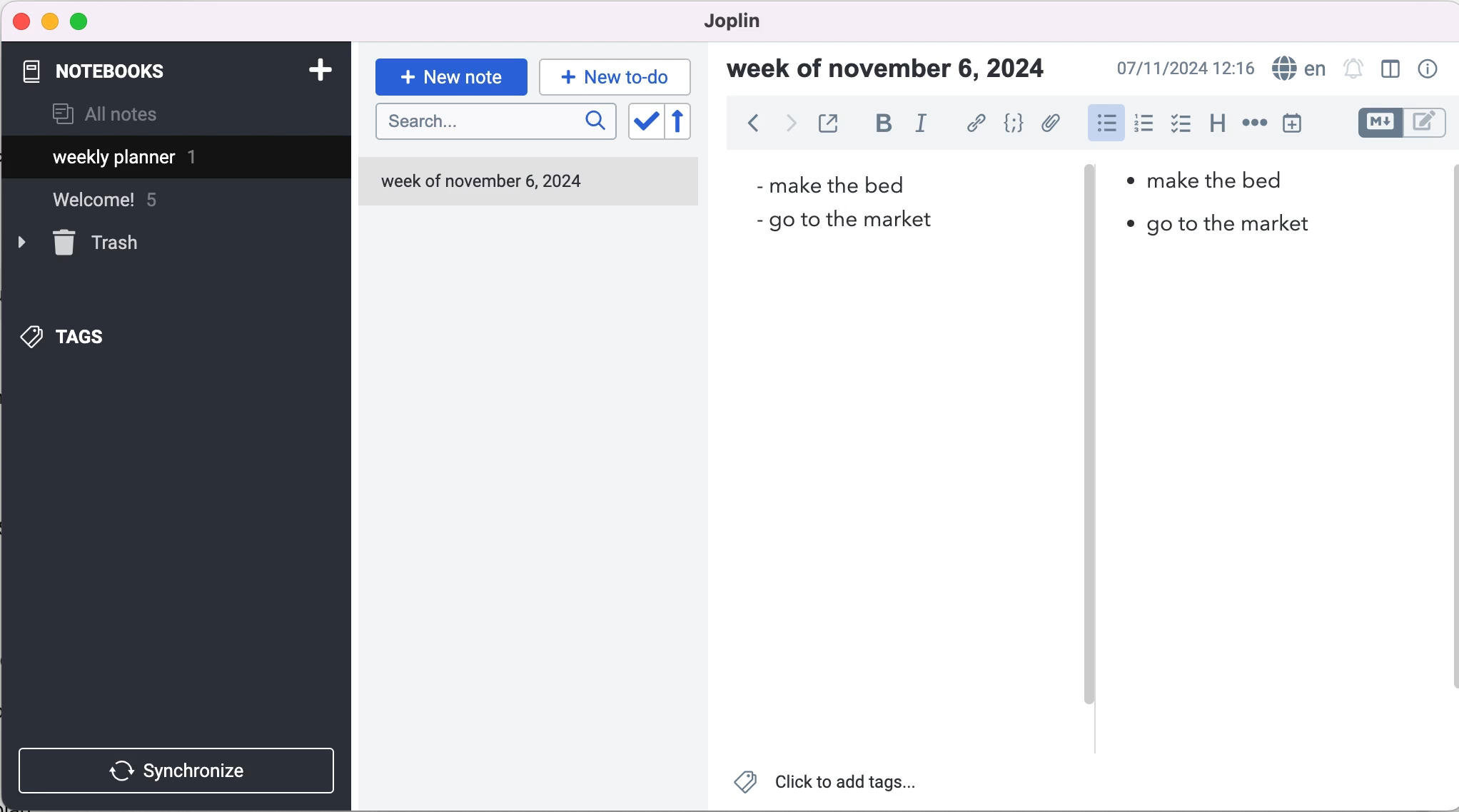 Image resolution: width=1459 pixels, height=812 pixels. What do you see at coordinates (1014, 125) in the screenshot?
I see `code` at bounding box center [1014, 125].